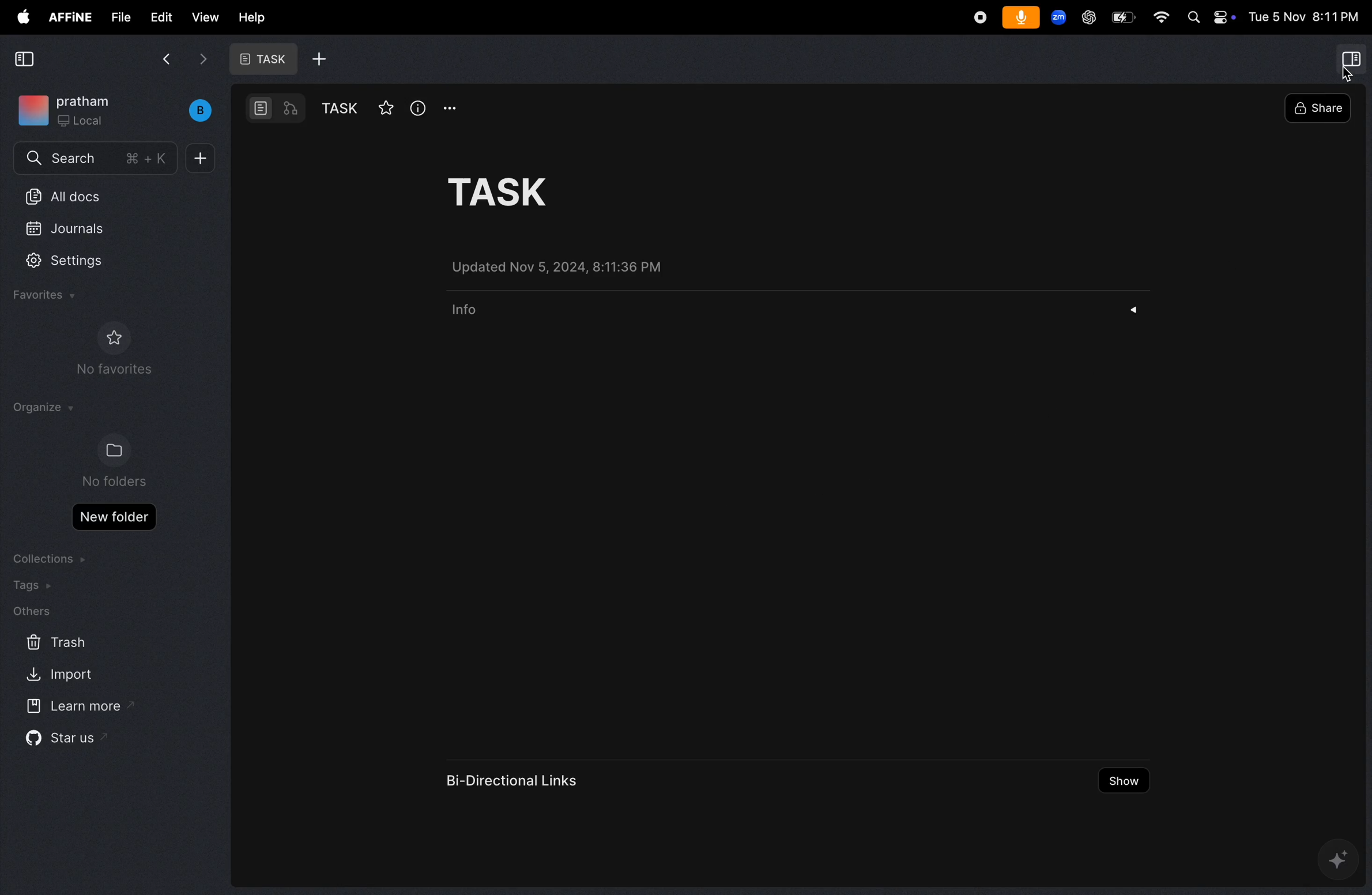 This screenshot has height=895, width=1372. What do you see at coordinates (75, 262) in the screenshot?
I see `settings` at bounding box center [75, 262].